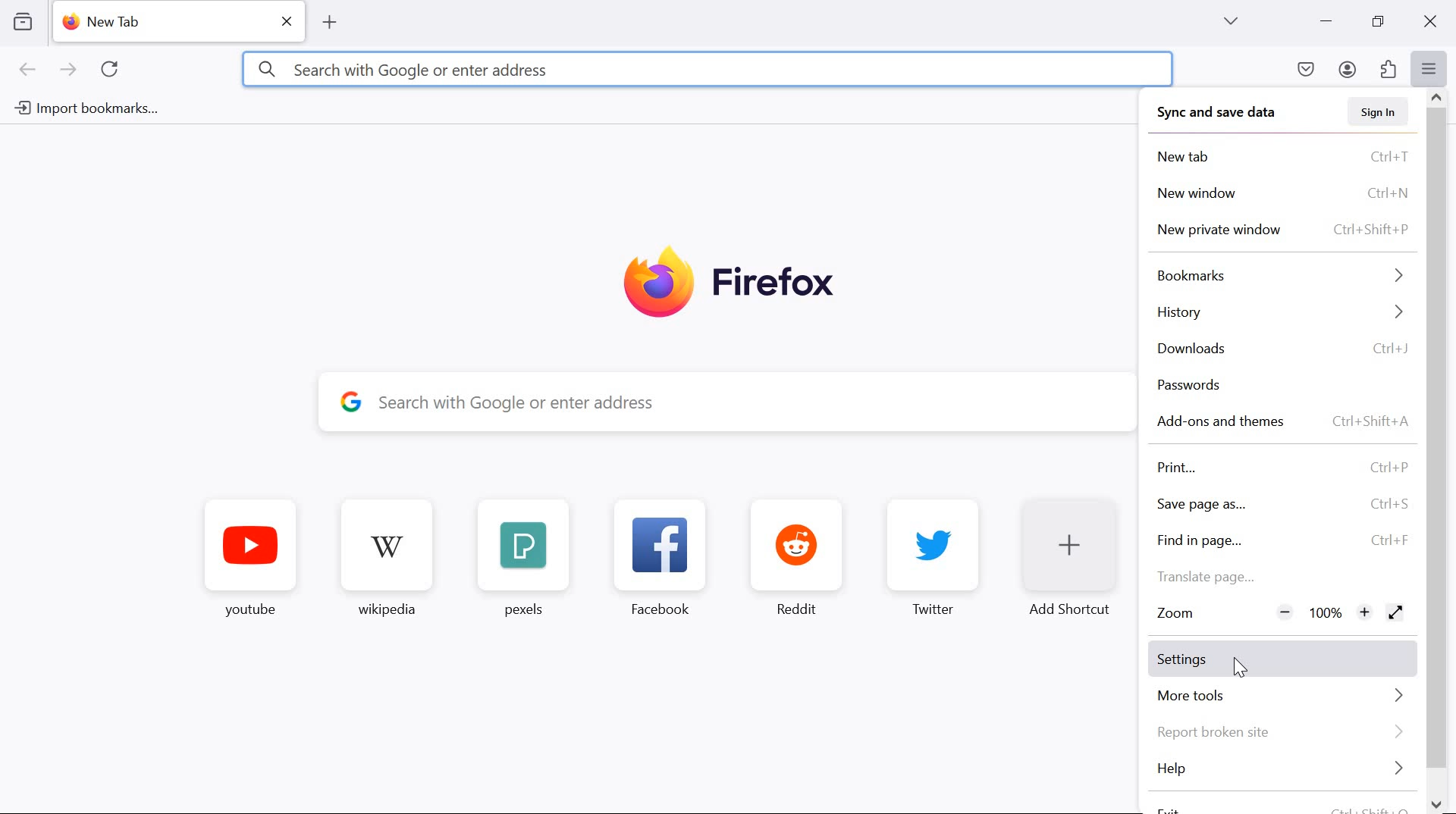 This screenshot has width=1456, height=814. I want to click on account, so click(1348, 70).